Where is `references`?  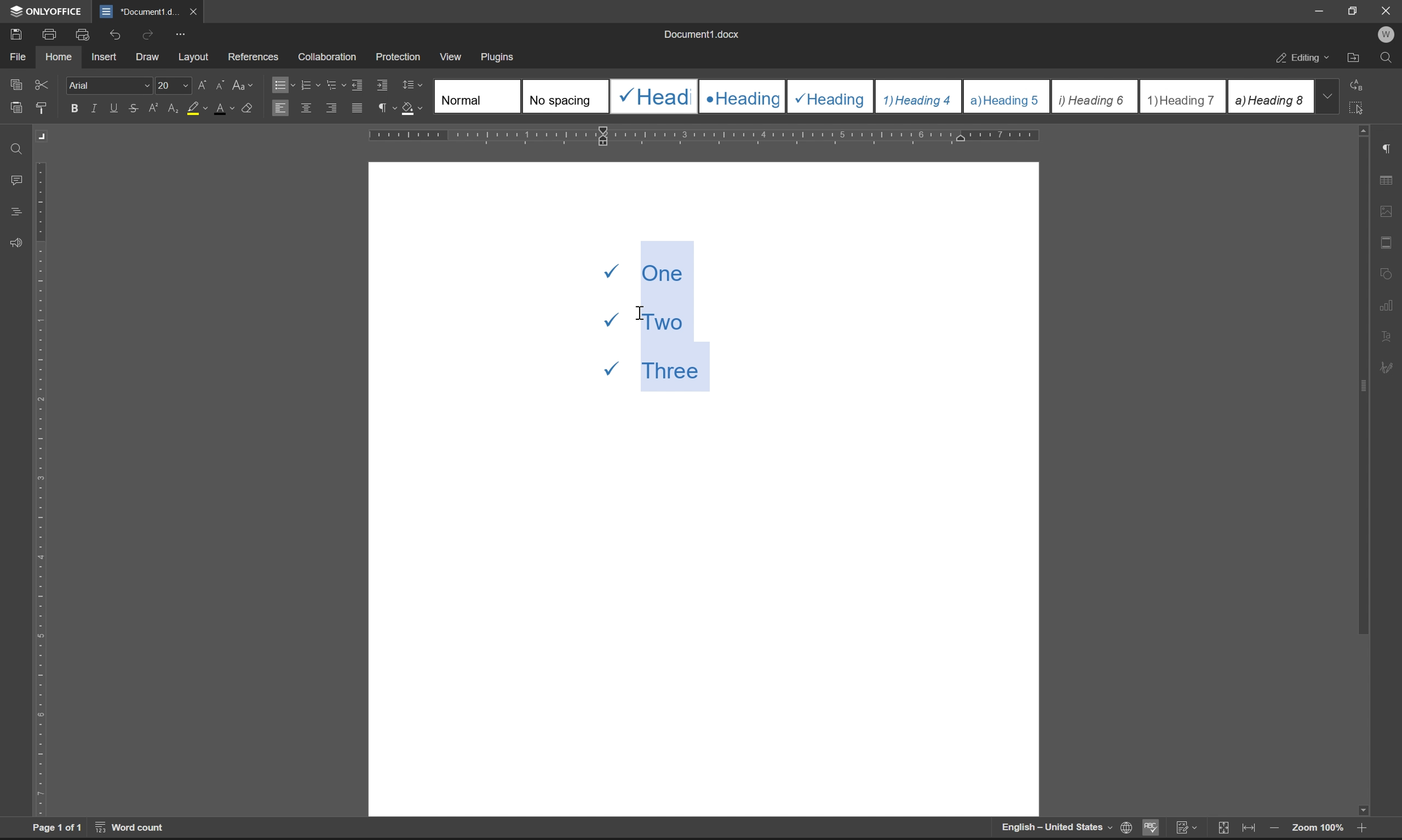 references is located at coordinates (254, 54).